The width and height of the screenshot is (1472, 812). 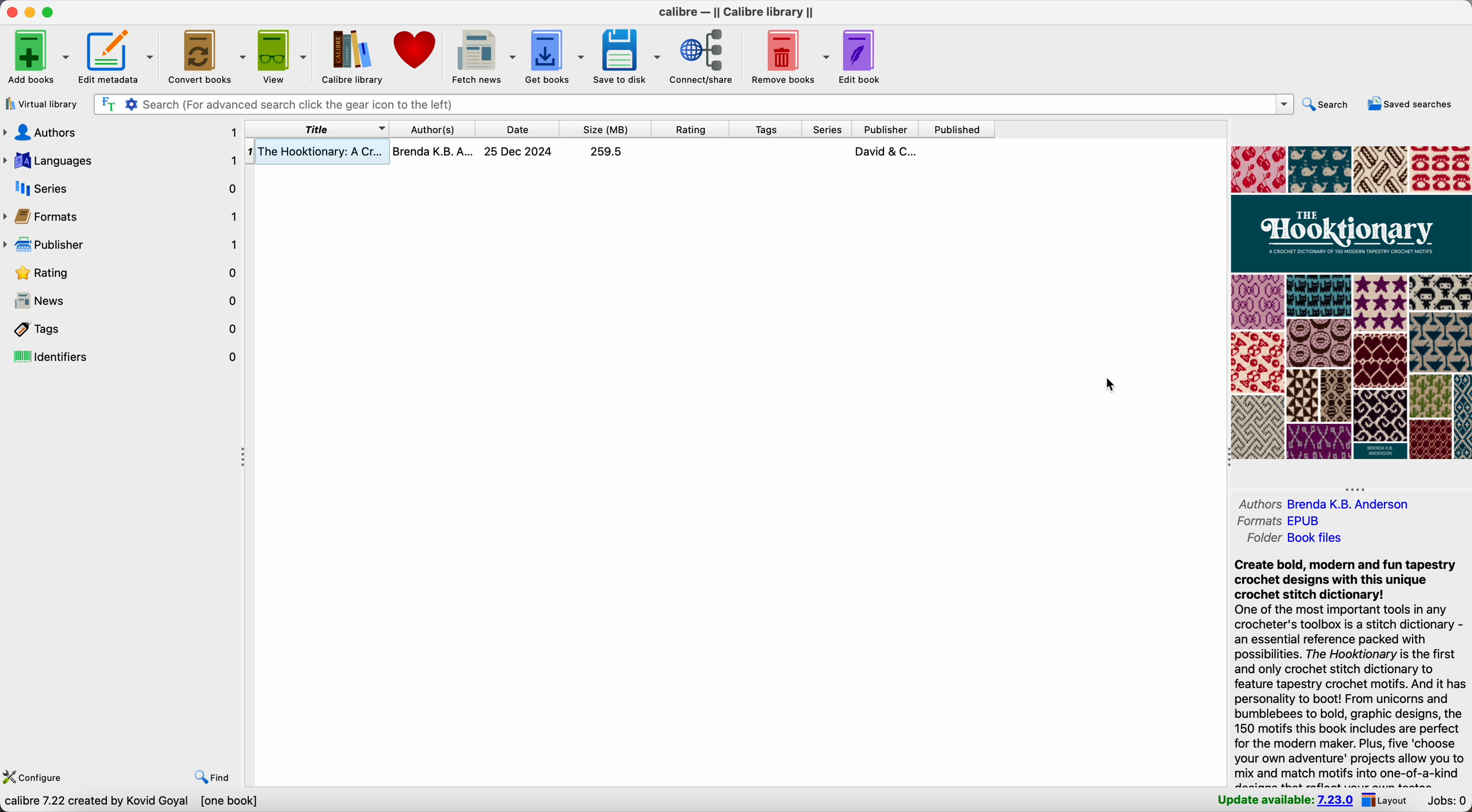 What do you see at coordinates (1350, 671) in the screenshot?
I see `synopsis` at bounding box center [1350, 671].